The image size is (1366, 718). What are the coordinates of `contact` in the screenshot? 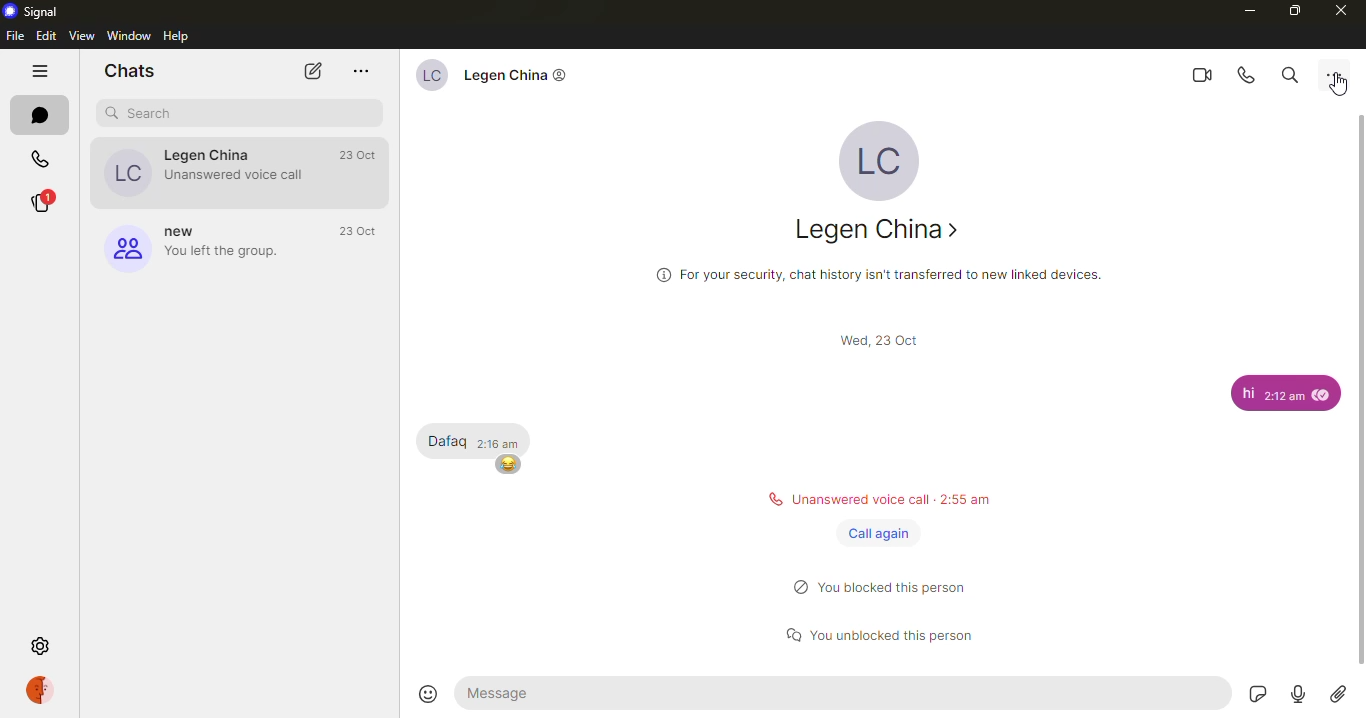 It's located at (871, 229).